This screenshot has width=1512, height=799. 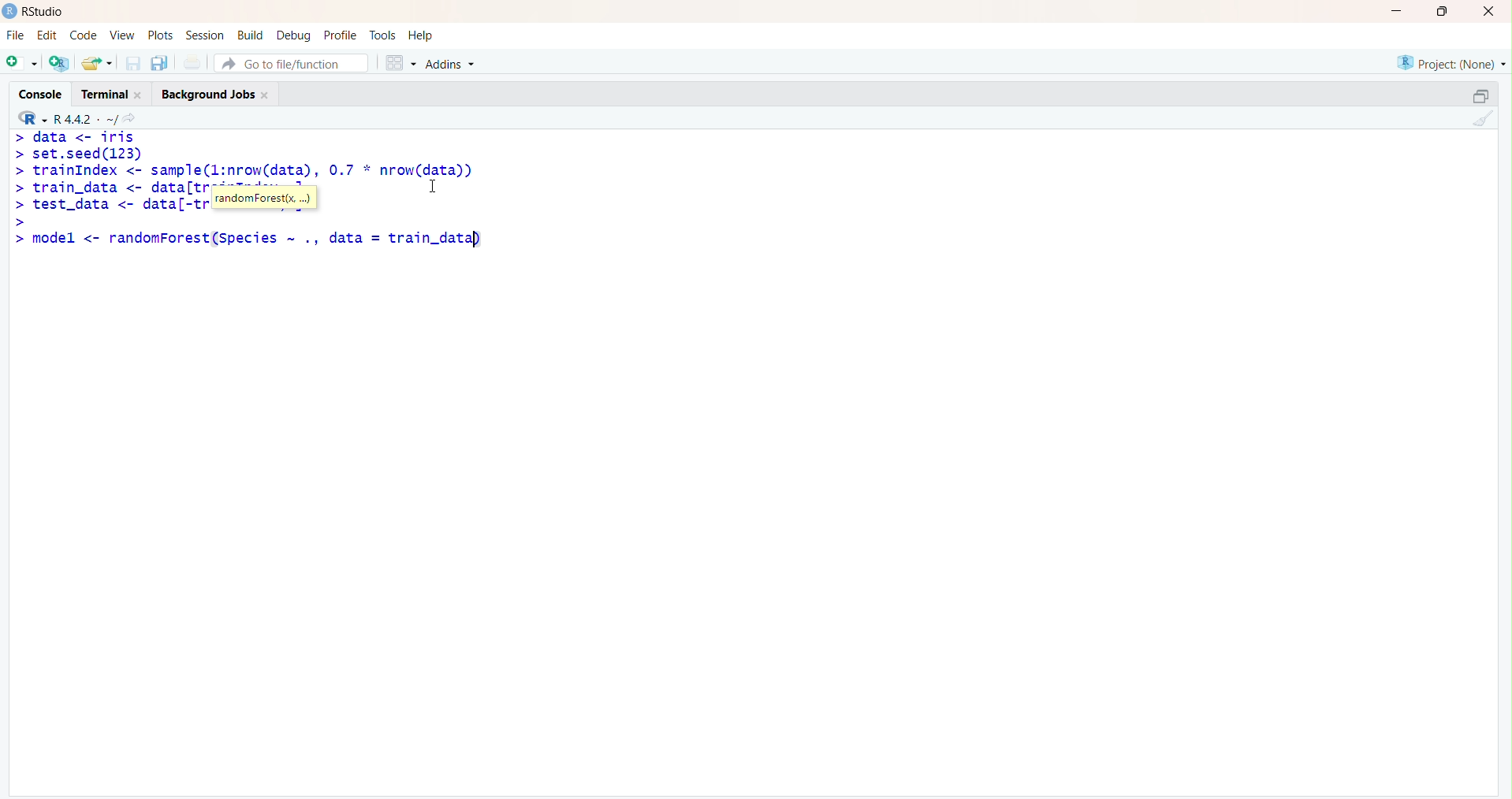 What do you see at coordinates (29, 117) in the screenshot?
I see `RStudio logo` at bounding box center [29, 117].